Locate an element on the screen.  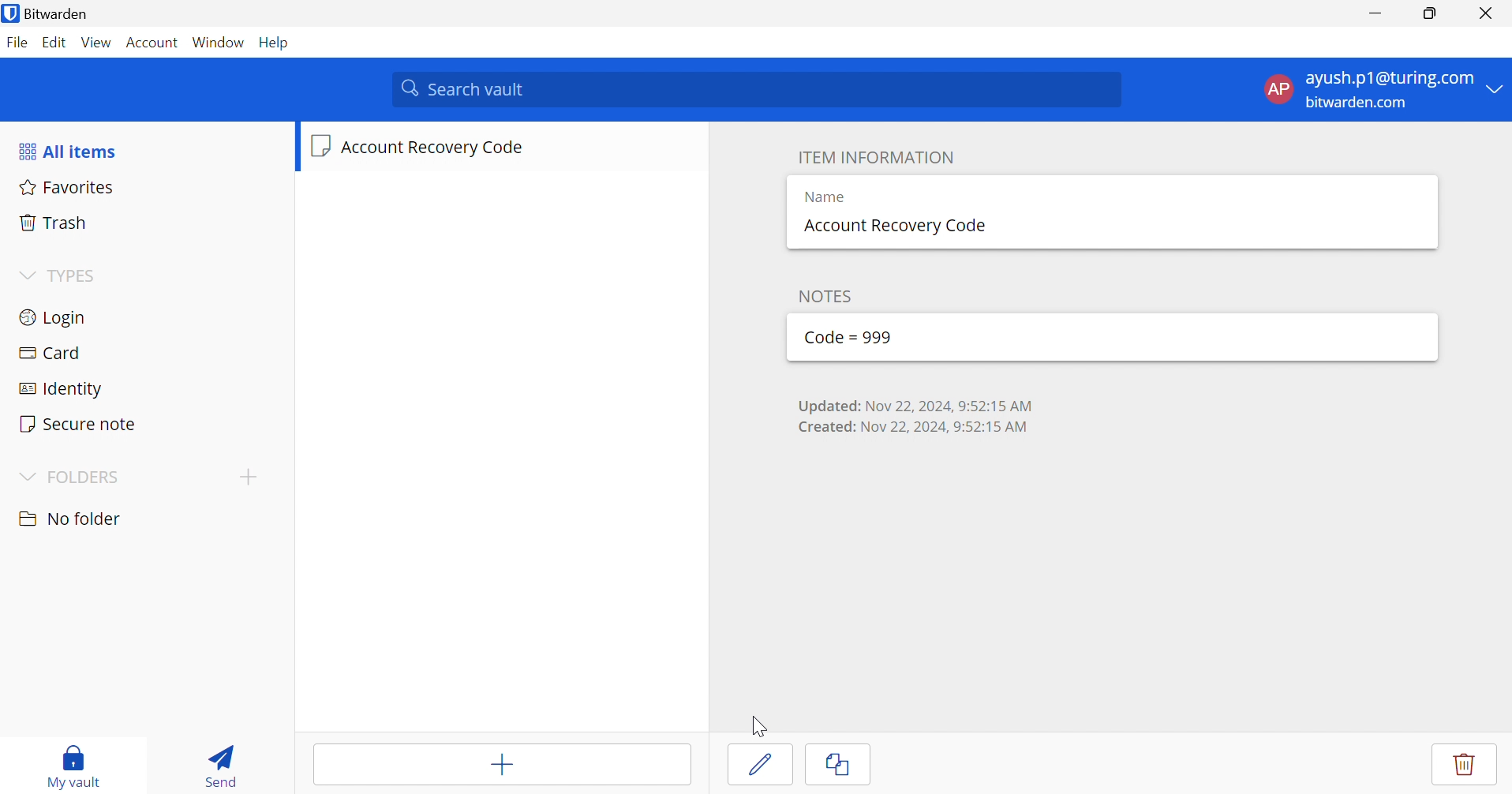
Account Recovery Code is located at coordinates (900, 227).